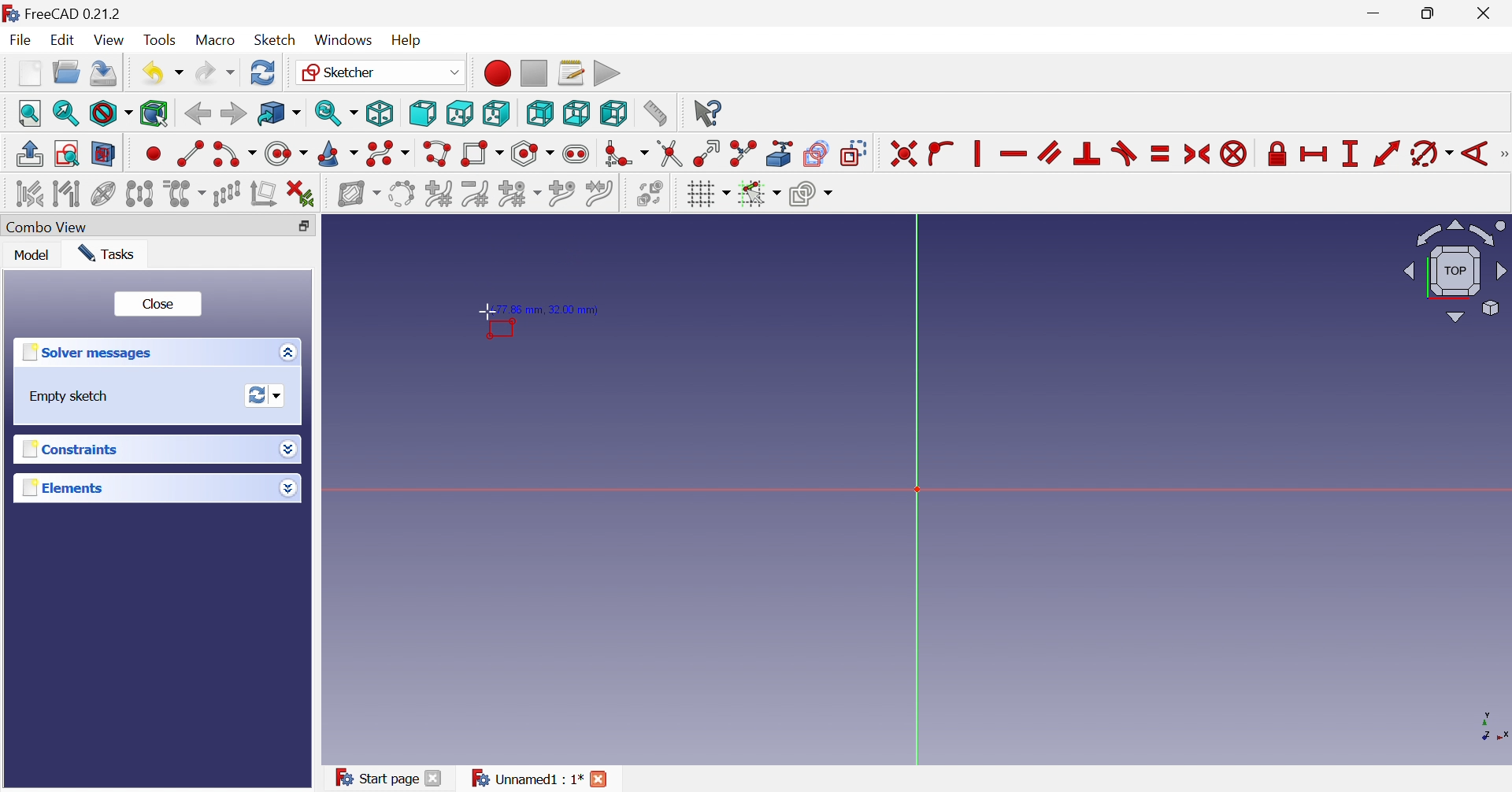  I want to click on Undo, so click(161, 73).